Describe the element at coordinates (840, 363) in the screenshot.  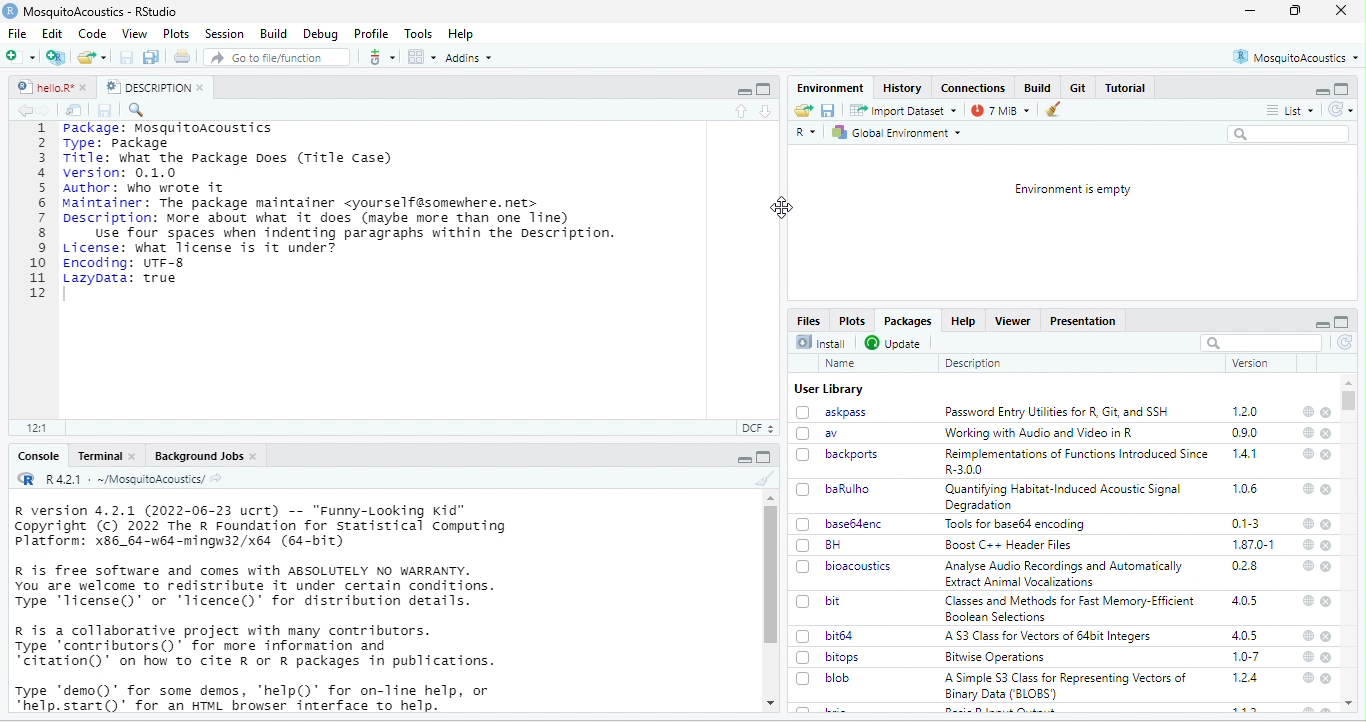
I see `Name` at that location.